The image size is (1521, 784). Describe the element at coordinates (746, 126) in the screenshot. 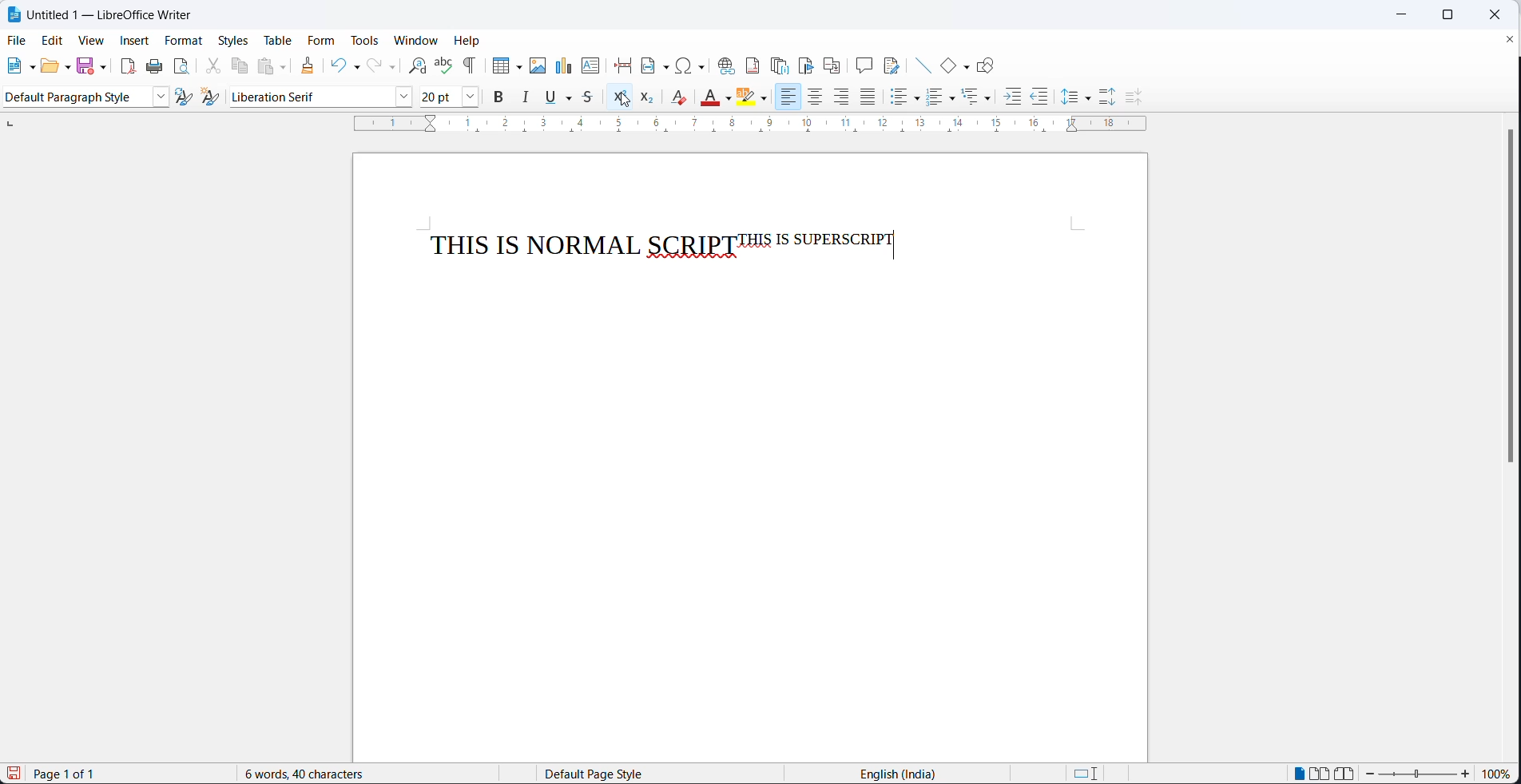

I see `ruler` at that location.